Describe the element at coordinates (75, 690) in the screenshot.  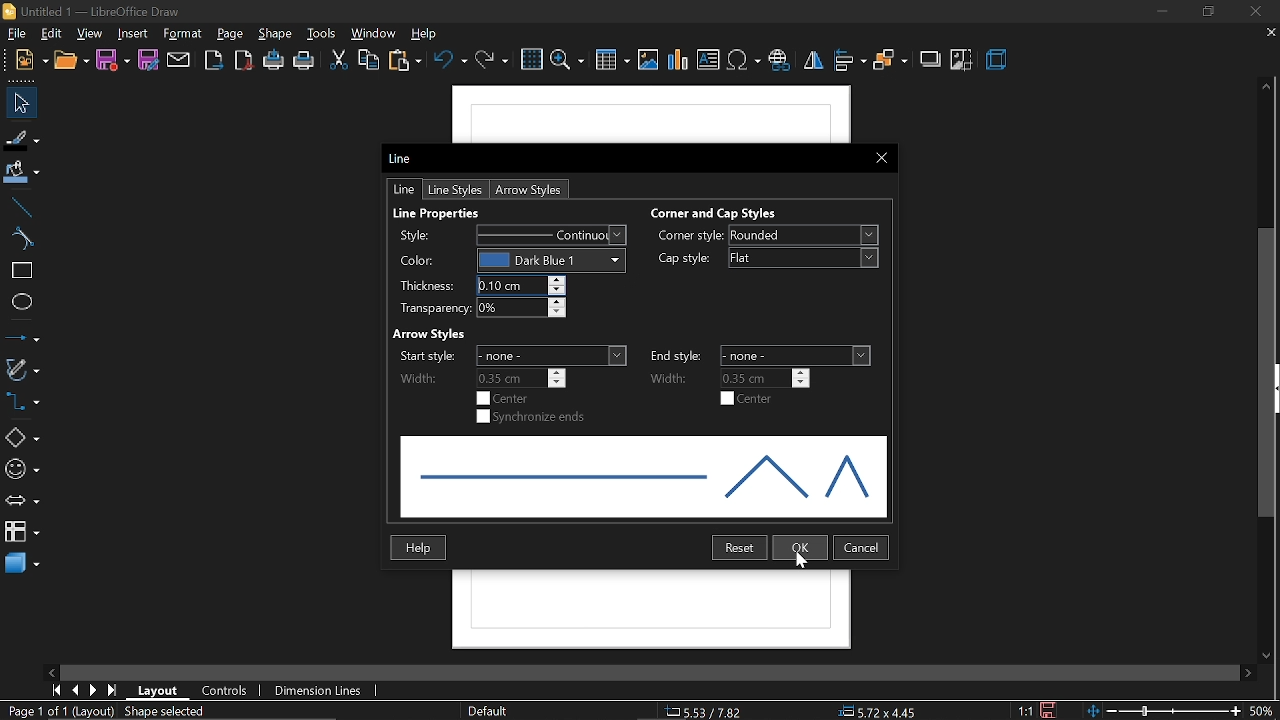
I see `previous page` at that location.